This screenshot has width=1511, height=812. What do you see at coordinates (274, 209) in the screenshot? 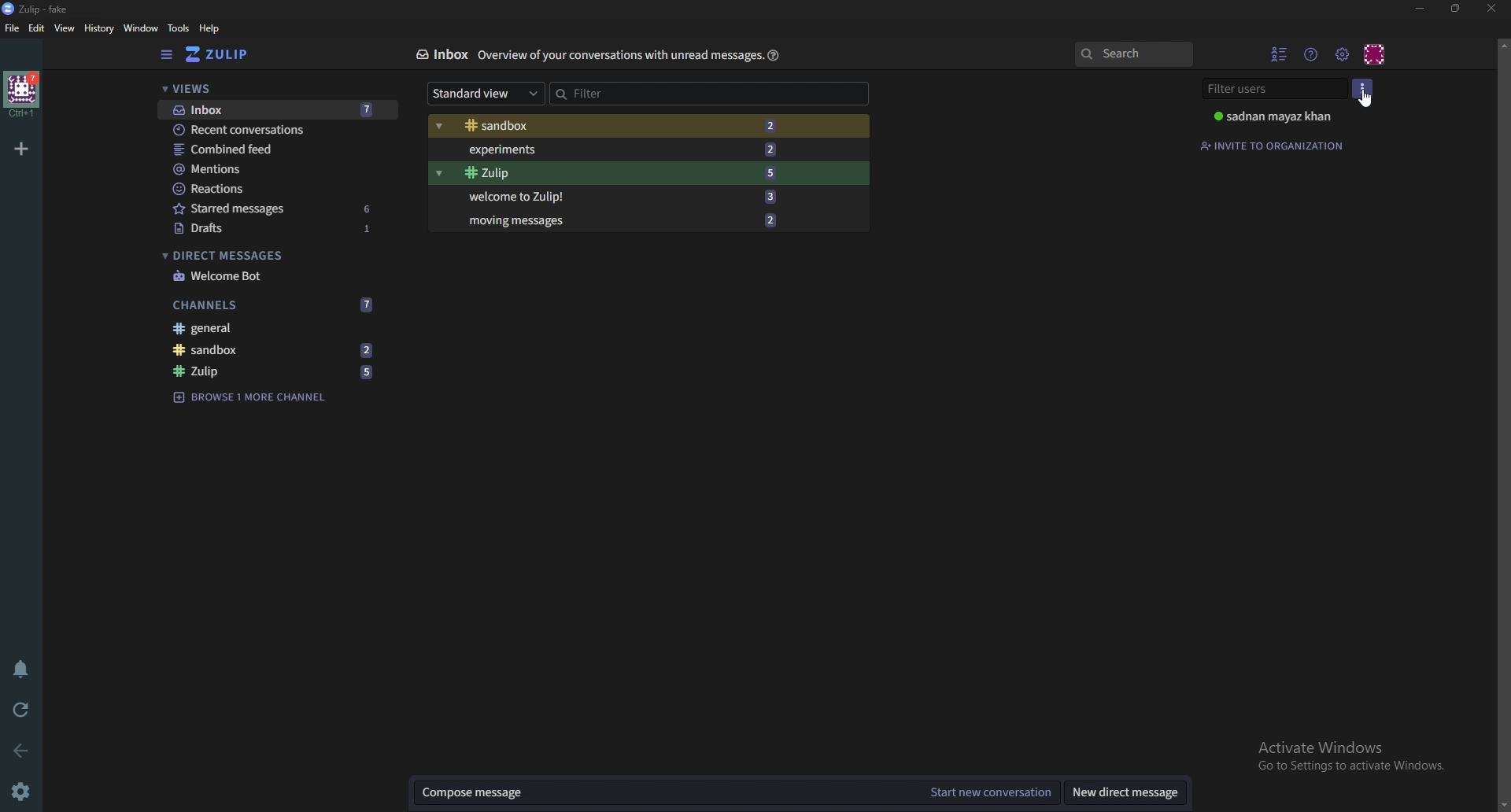
I see `Starred messages` at bounding box center [274, 209].